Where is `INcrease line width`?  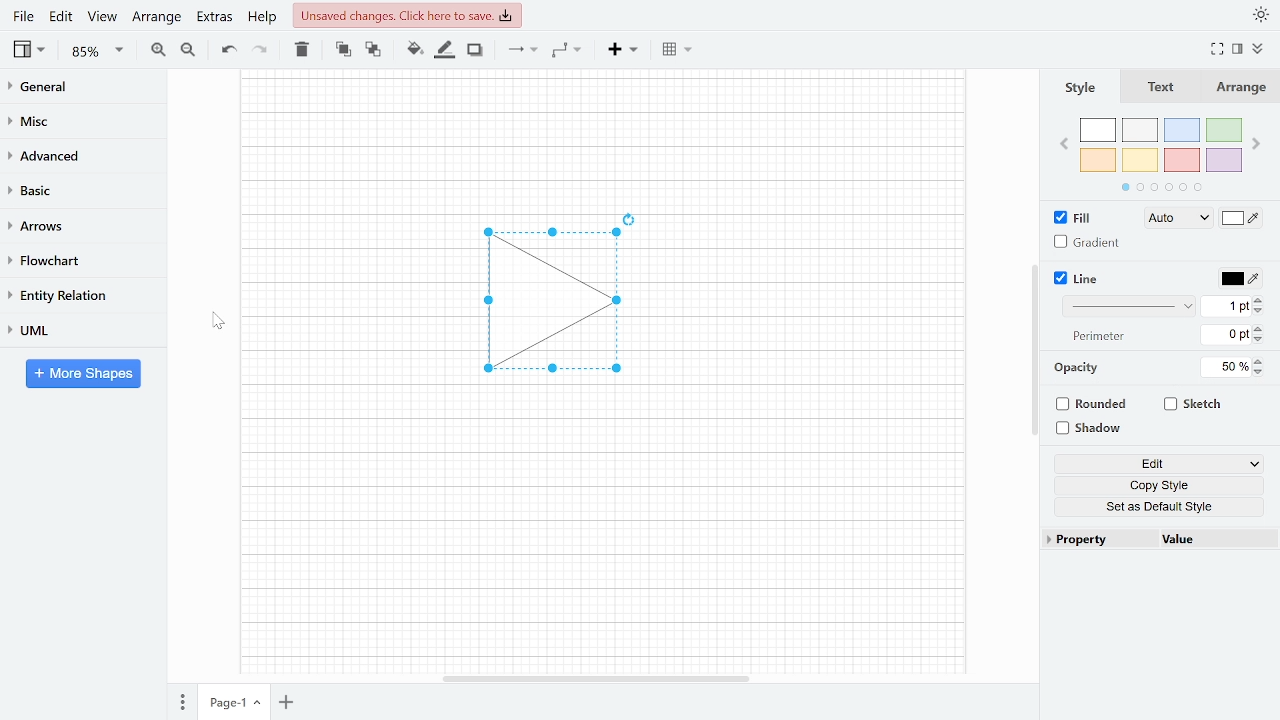
INcrease line width is located at coordinates (1261, 297).